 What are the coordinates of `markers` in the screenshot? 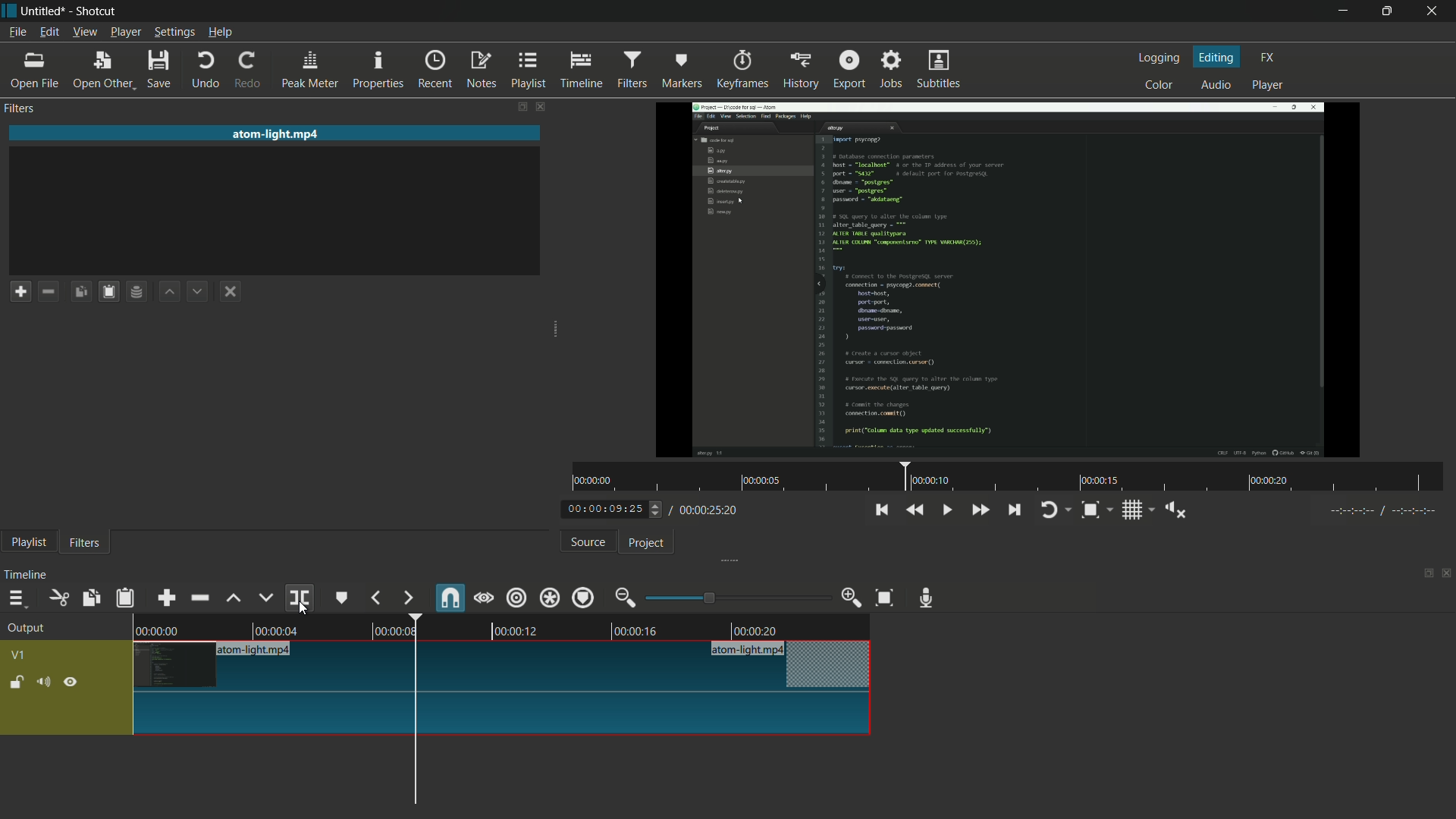 It's located at (682, 71).